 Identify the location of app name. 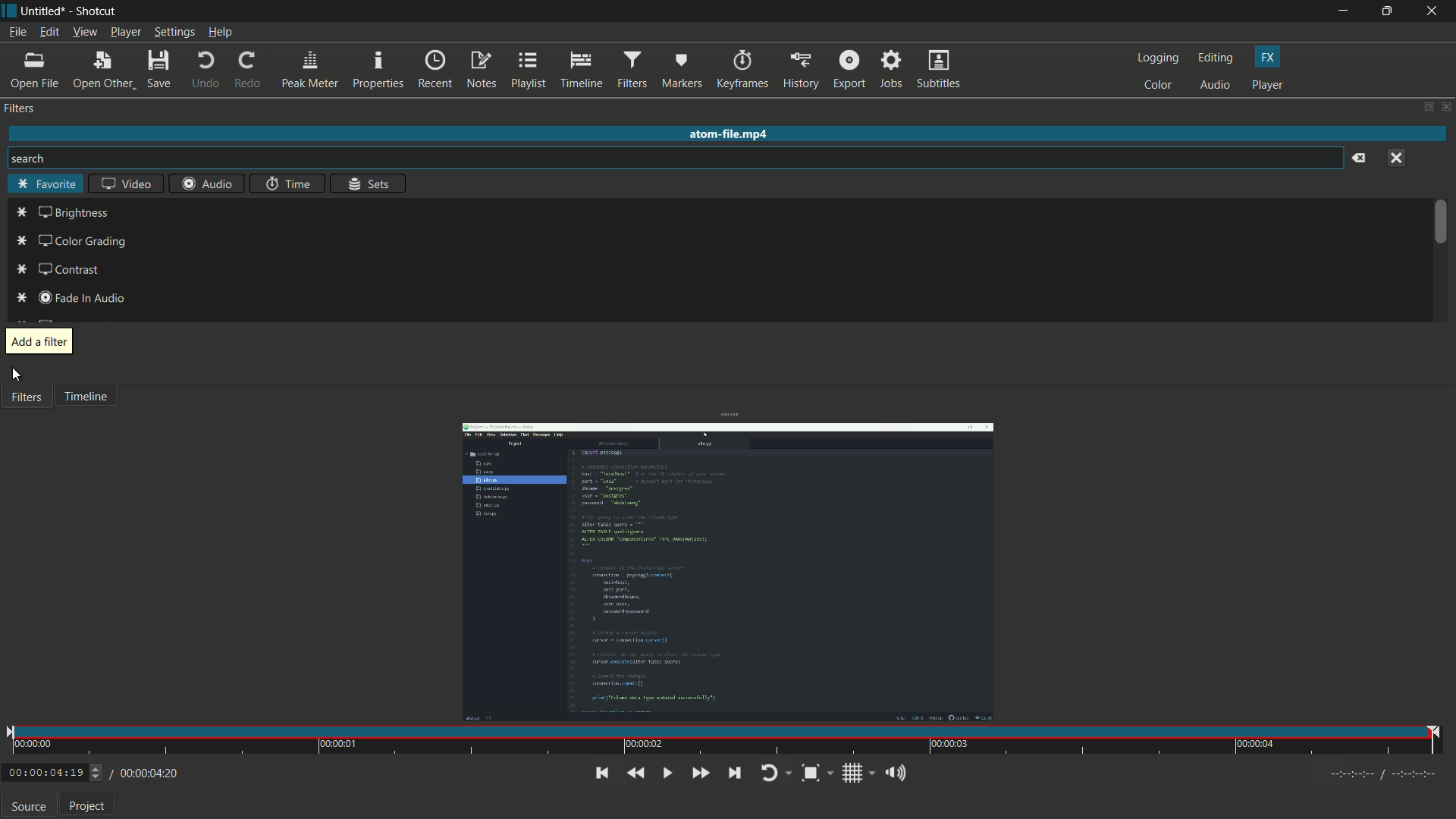
(94, 13).